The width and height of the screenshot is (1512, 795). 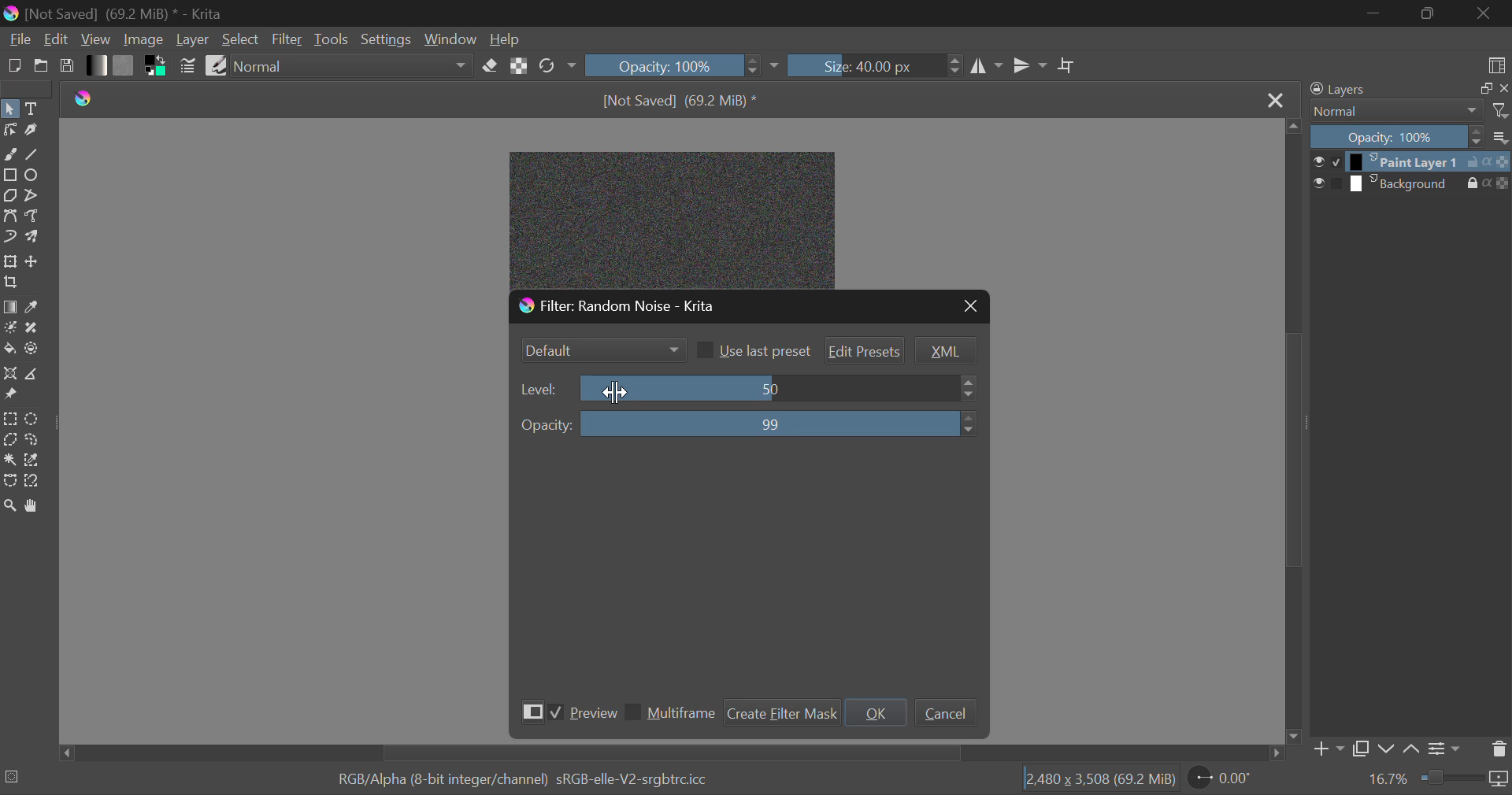 What do you see at coordinates (1376, 13) in the screenshot?
I see `Restore Down` at bounding box center [1376, 13].